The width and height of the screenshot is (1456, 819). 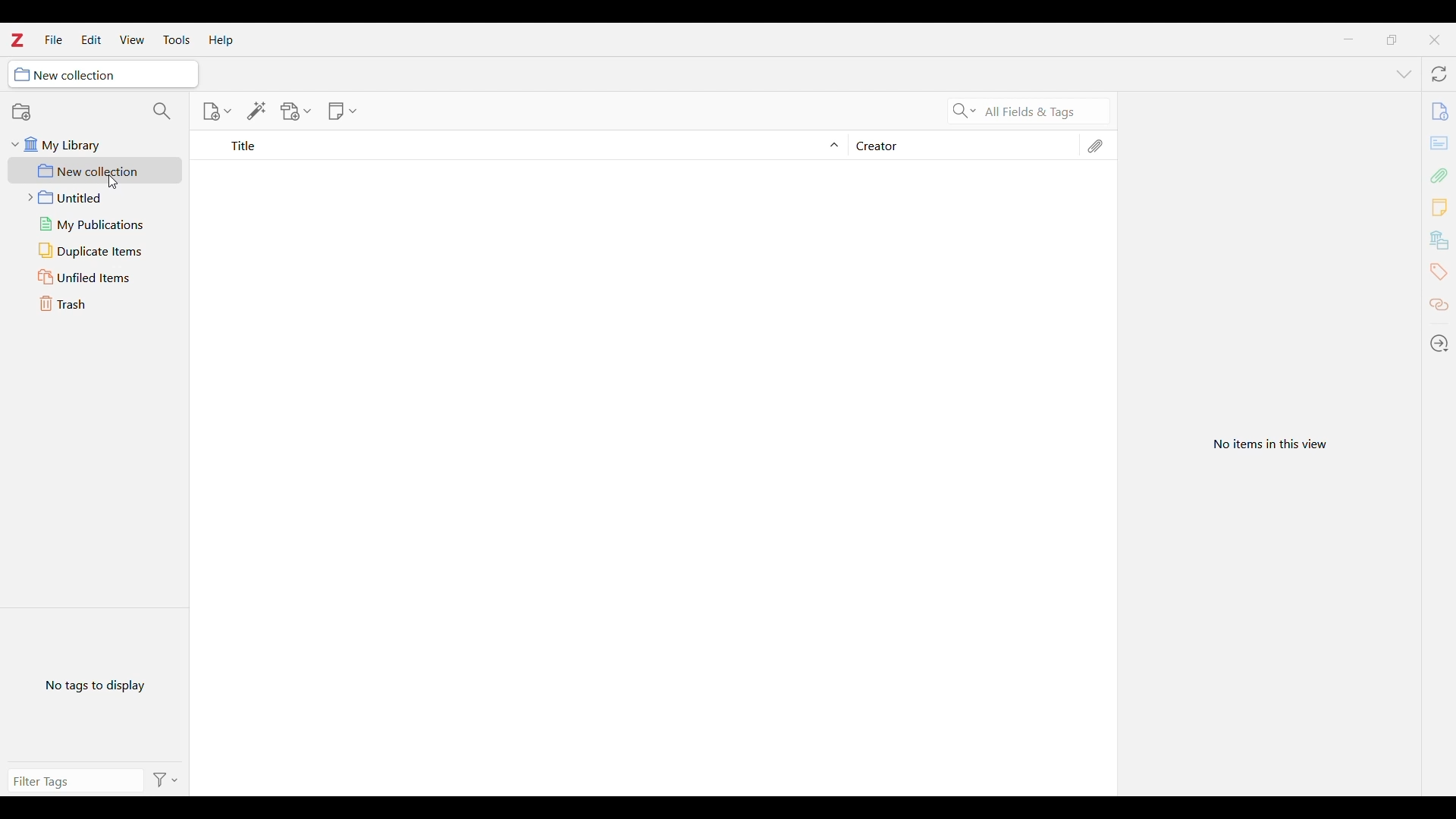 What do you see at coordinates (221, 40) in the screenshot?
I see `Help menu` at bounding box center [221, 40].